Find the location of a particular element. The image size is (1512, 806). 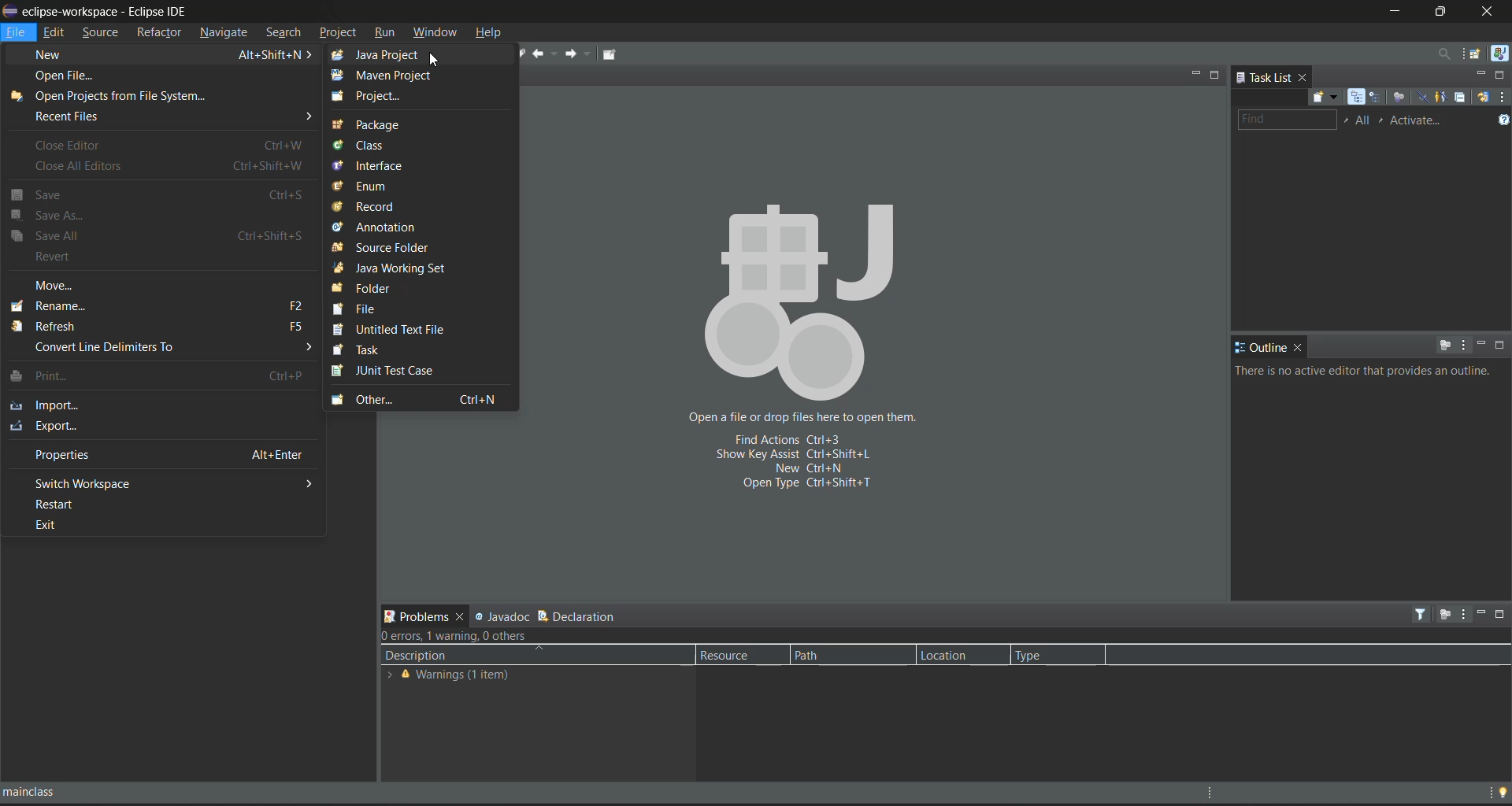

new task is located at coordinates (1322, 97).